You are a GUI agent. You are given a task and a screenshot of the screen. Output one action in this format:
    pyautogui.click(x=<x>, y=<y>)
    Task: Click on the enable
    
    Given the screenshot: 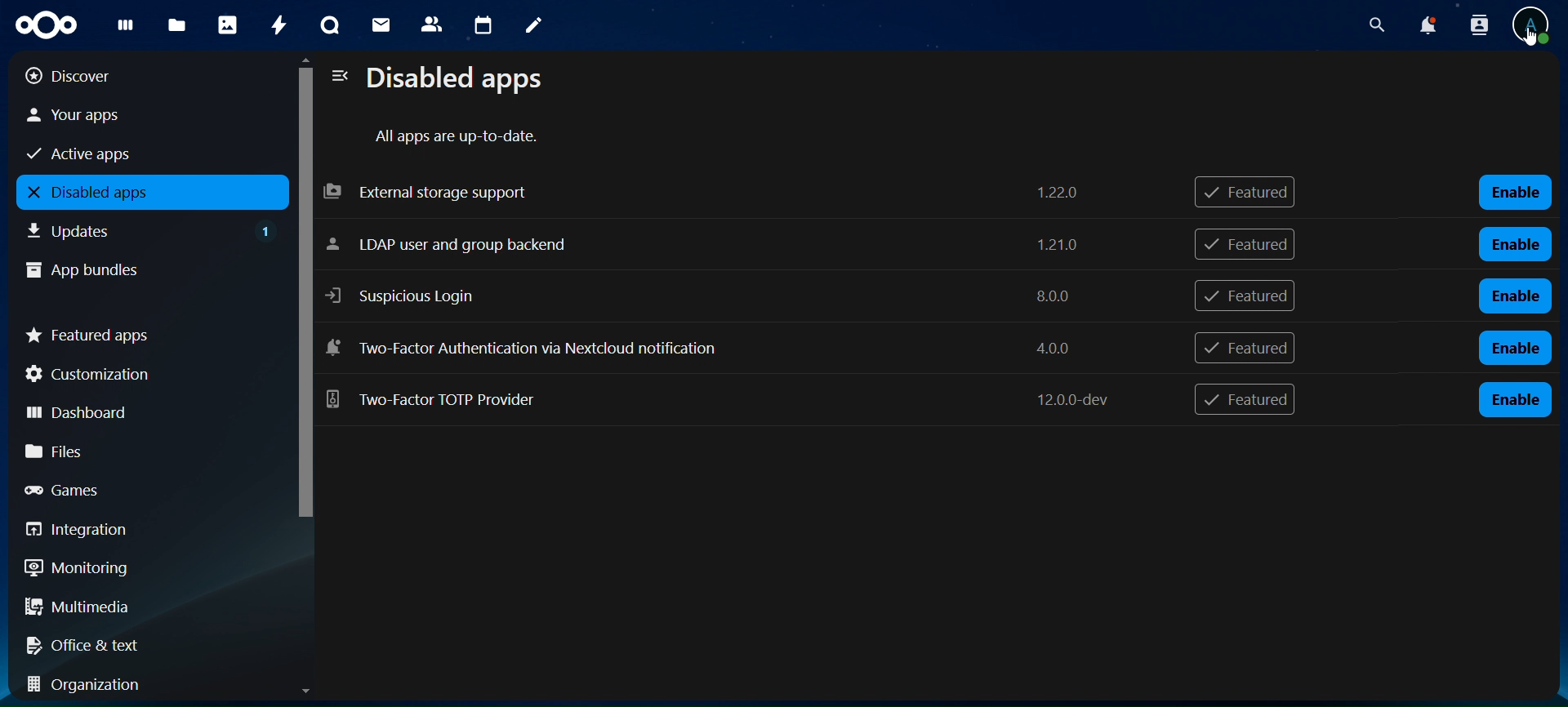 What is the action you would take?
    pyautogui.click(x=1515, y=399)
    